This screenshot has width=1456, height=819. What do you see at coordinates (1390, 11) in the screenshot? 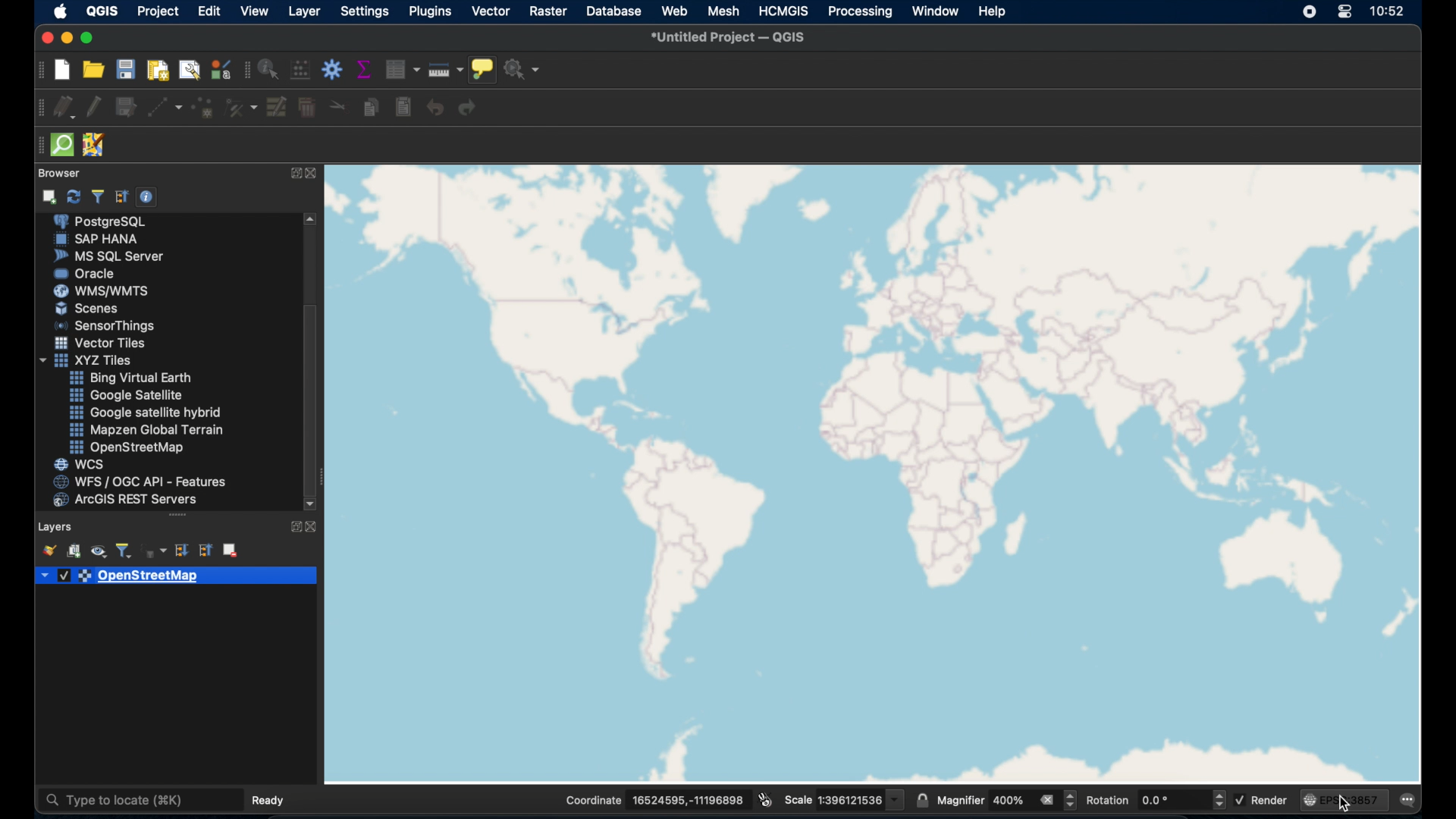
I see `time` at bounding box center [1390, 11].